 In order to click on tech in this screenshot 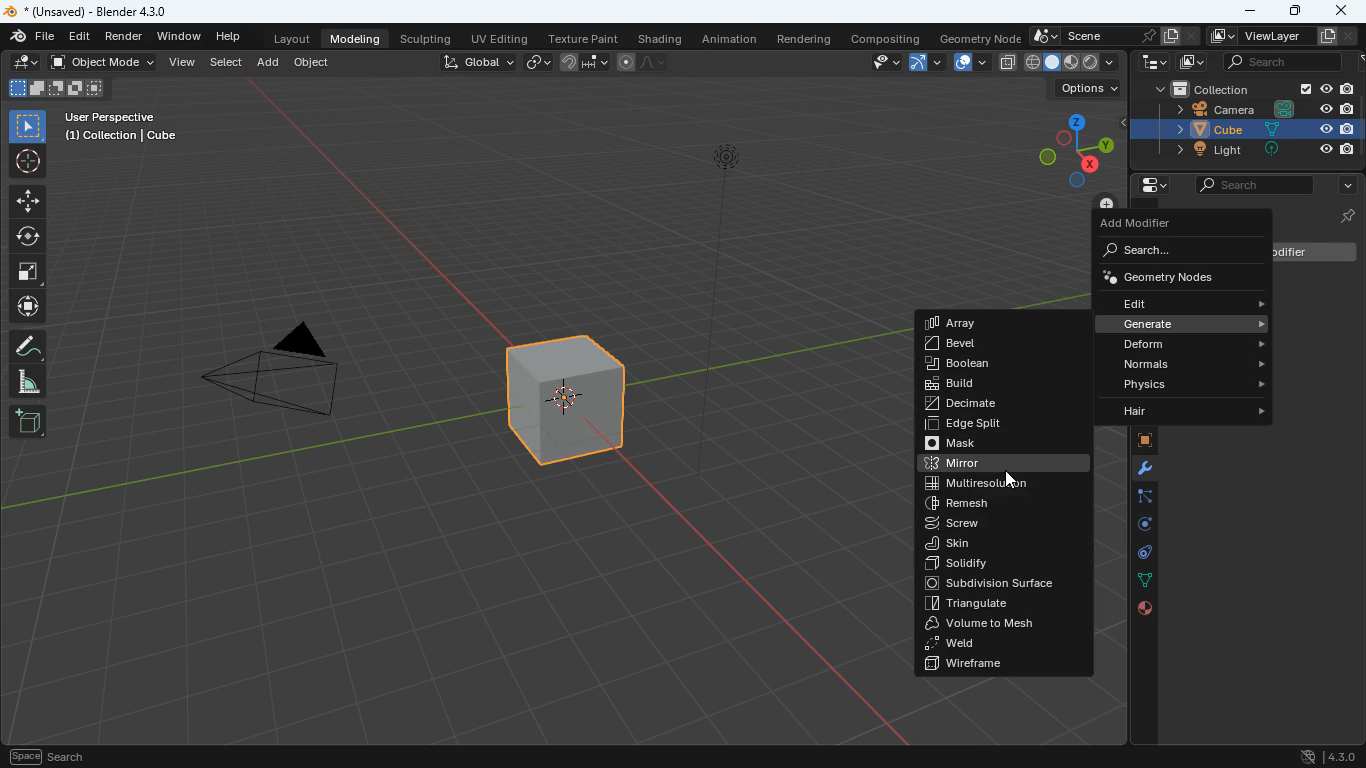, I will do `click(1147, 63)`.